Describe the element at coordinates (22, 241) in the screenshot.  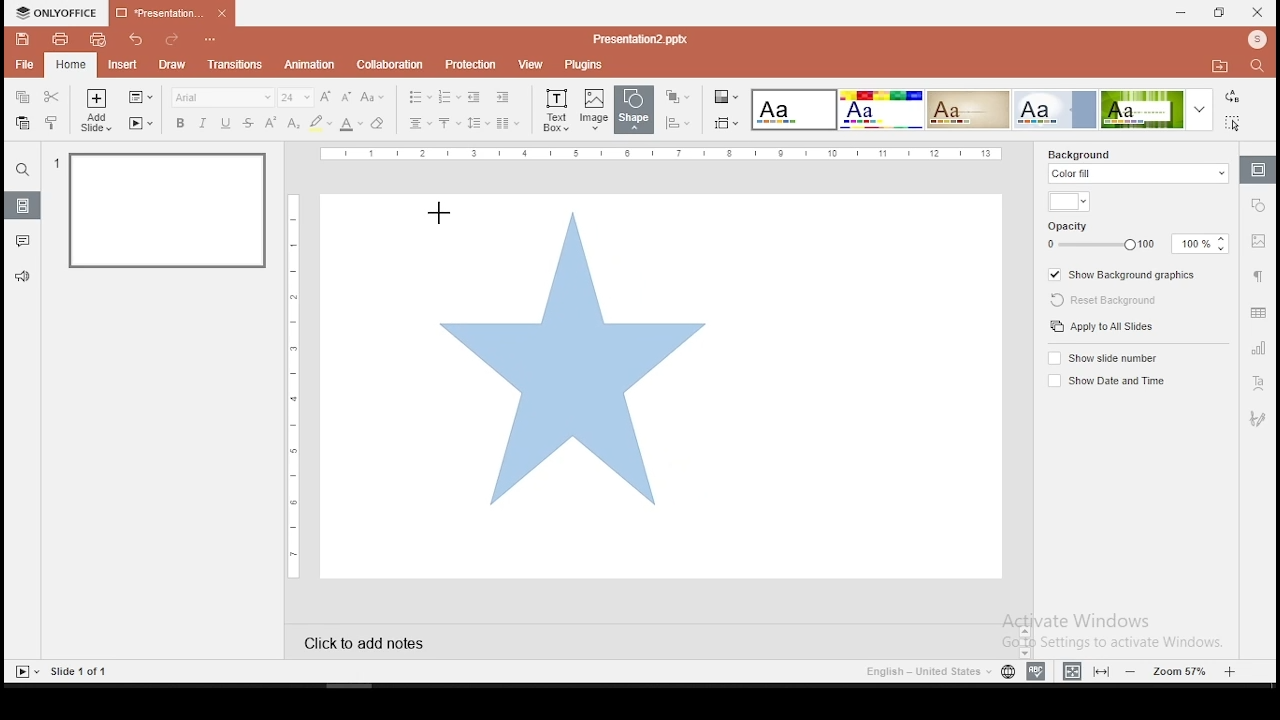
I see `comments` at that location.